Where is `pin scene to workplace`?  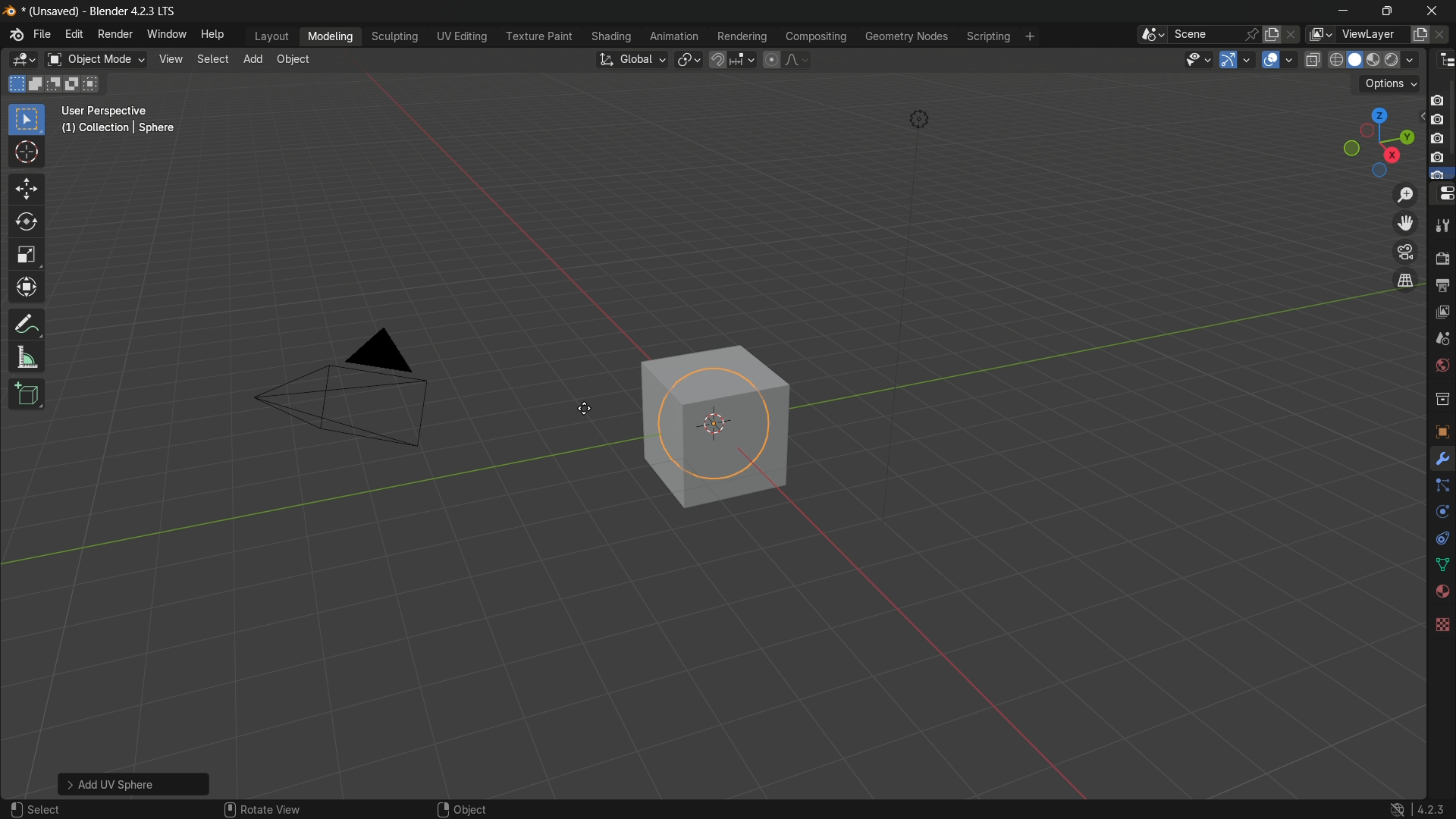 pin scene to workplace is located at coordinates (1253, 35).